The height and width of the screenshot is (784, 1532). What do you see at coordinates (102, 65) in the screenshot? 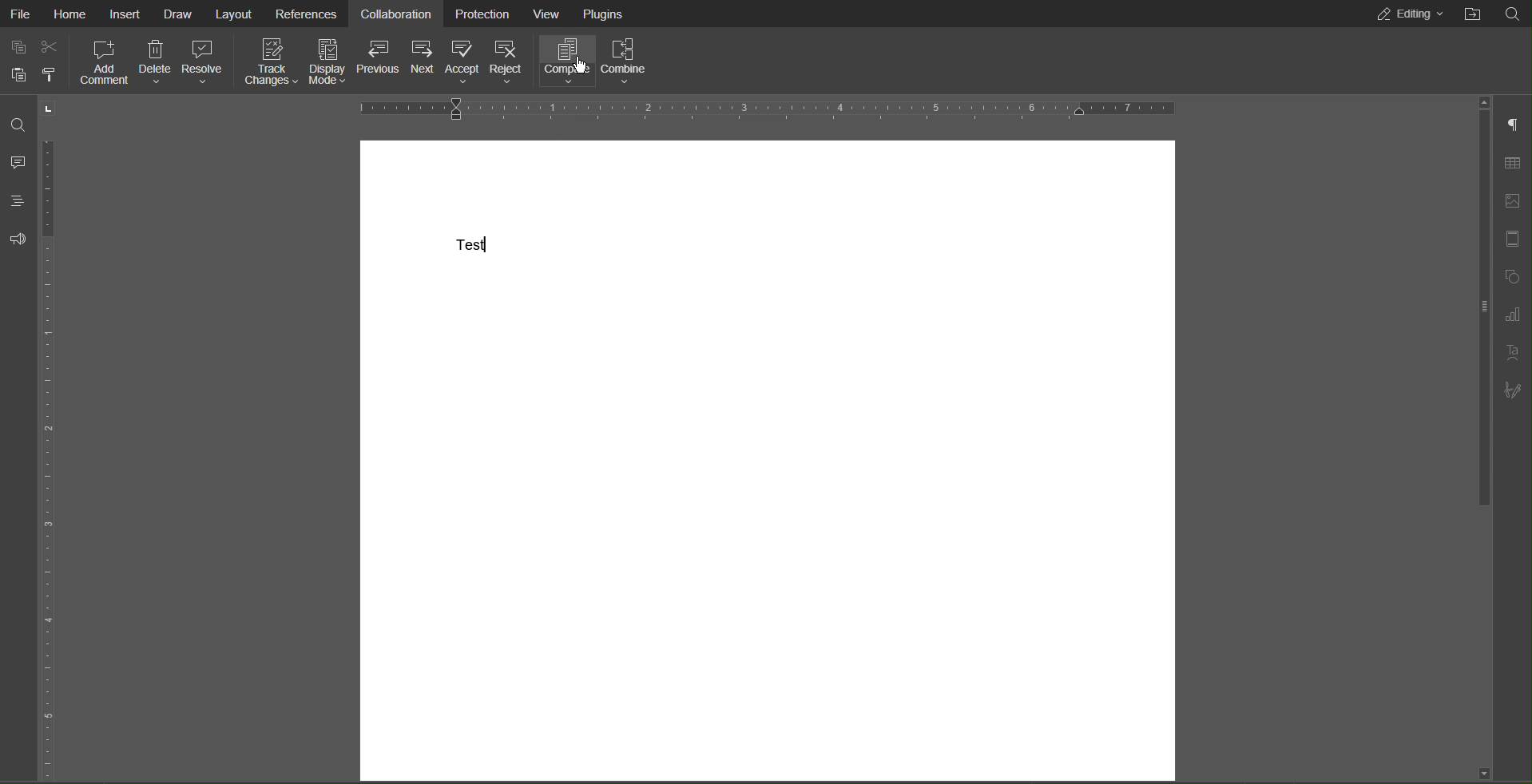
I see `Add Comment` at bounding box center [102, 65].